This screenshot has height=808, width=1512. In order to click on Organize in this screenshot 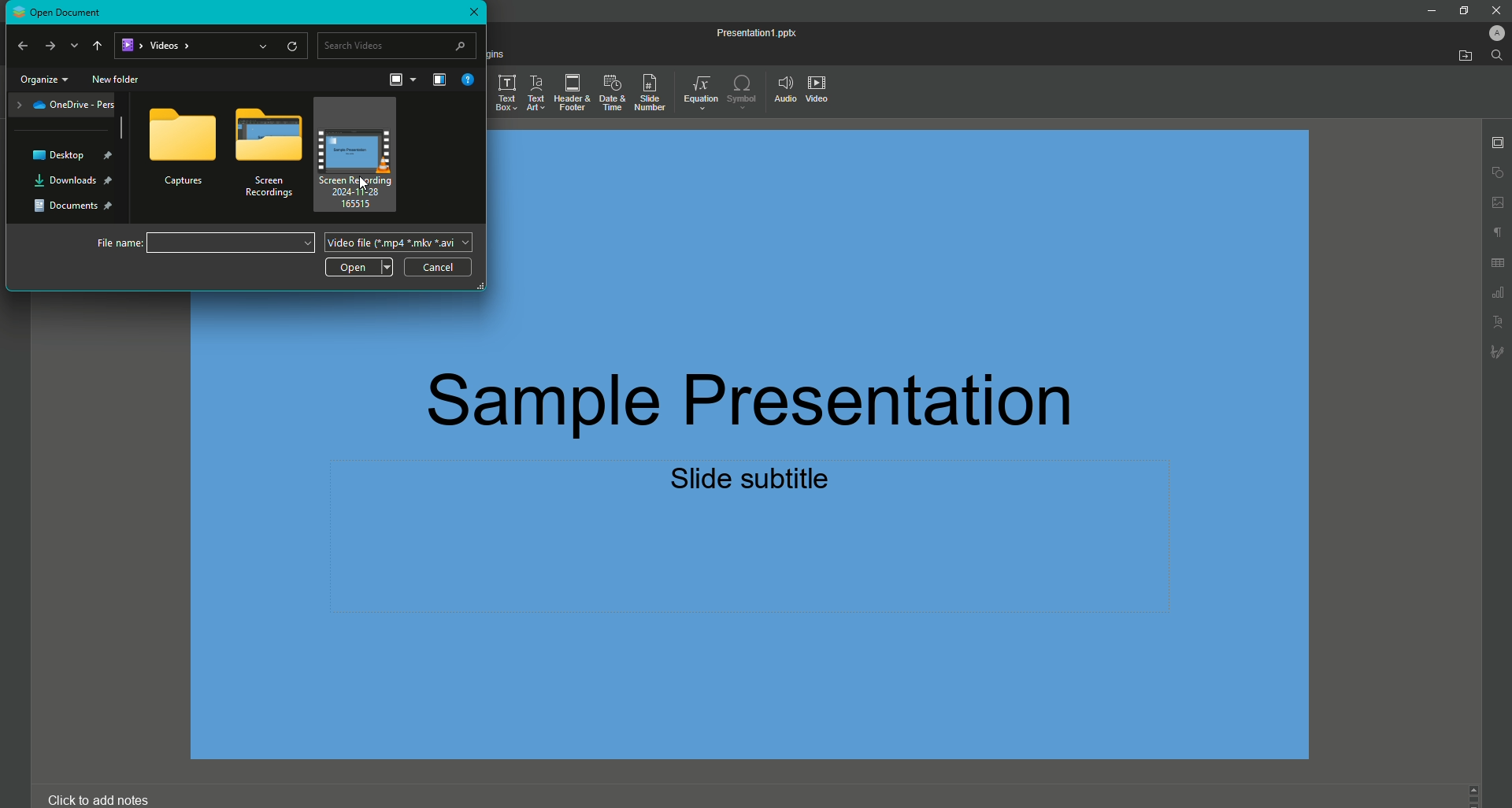, I will do `click(42, 80)`.